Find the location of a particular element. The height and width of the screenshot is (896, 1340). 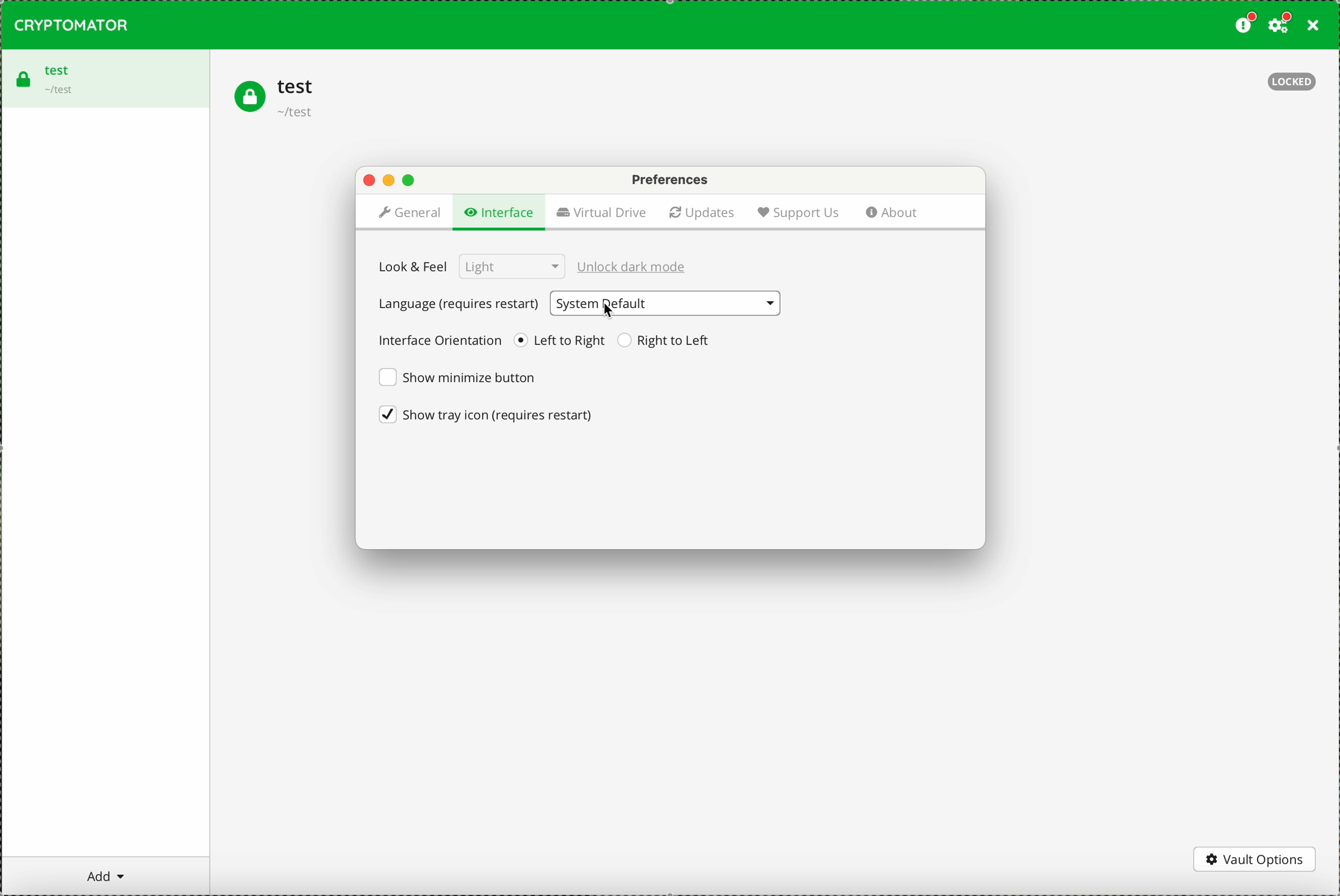

close popup is located at coordinates (369, 181).